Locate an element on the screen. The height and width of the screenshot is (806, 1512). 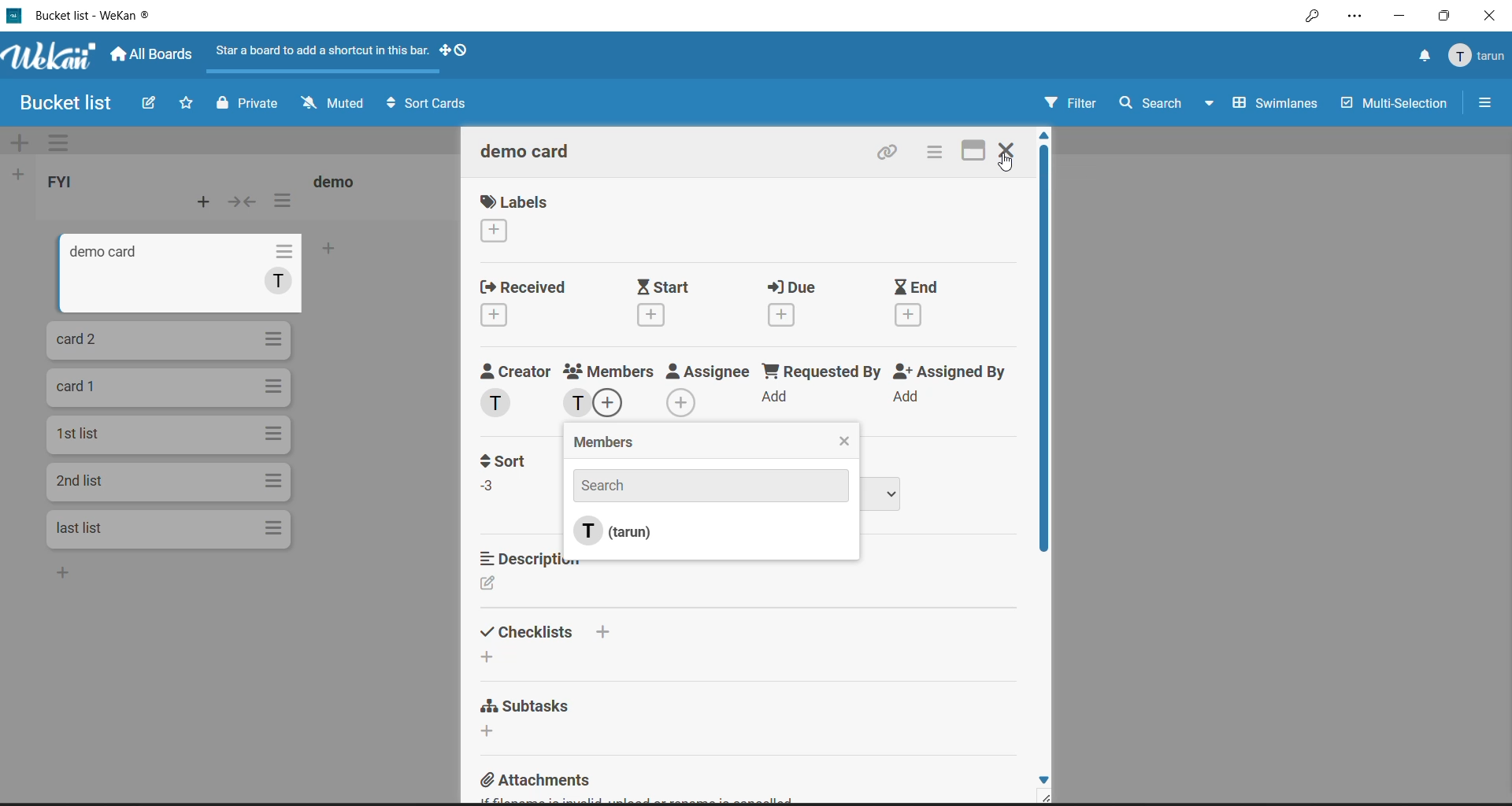
private is located at coordinates (246, 103).